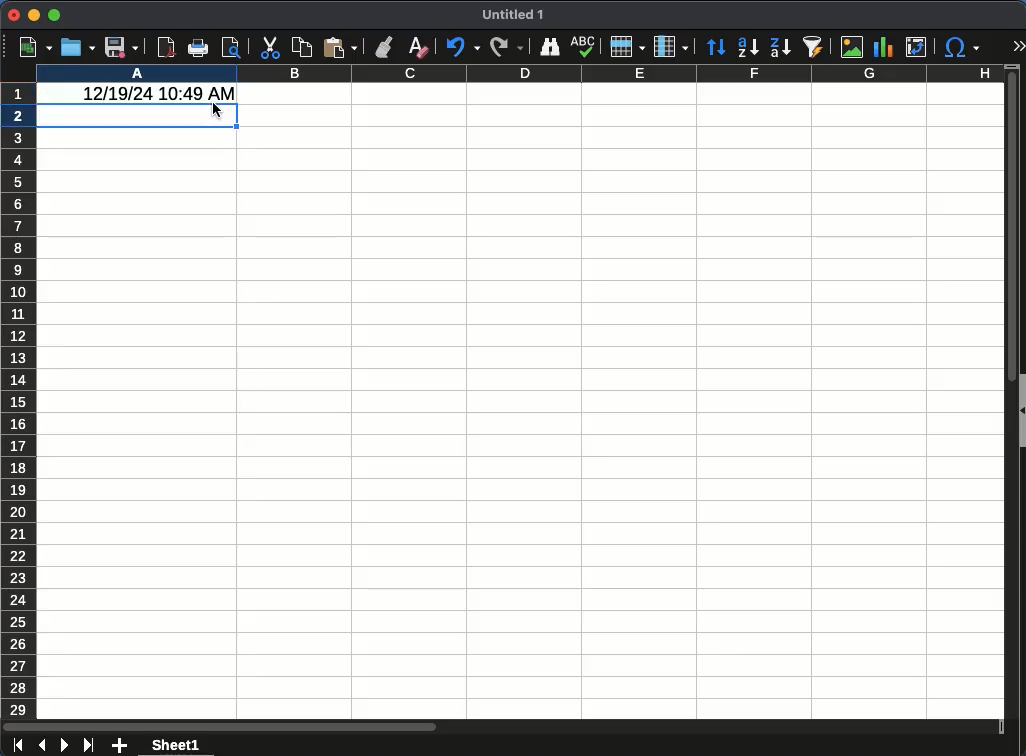 This screenshot has height=756, width=1026. What do you see at coordinates (1020, 412) in the screenshot?
I see `collapse` at bounding box center [1020, 412].